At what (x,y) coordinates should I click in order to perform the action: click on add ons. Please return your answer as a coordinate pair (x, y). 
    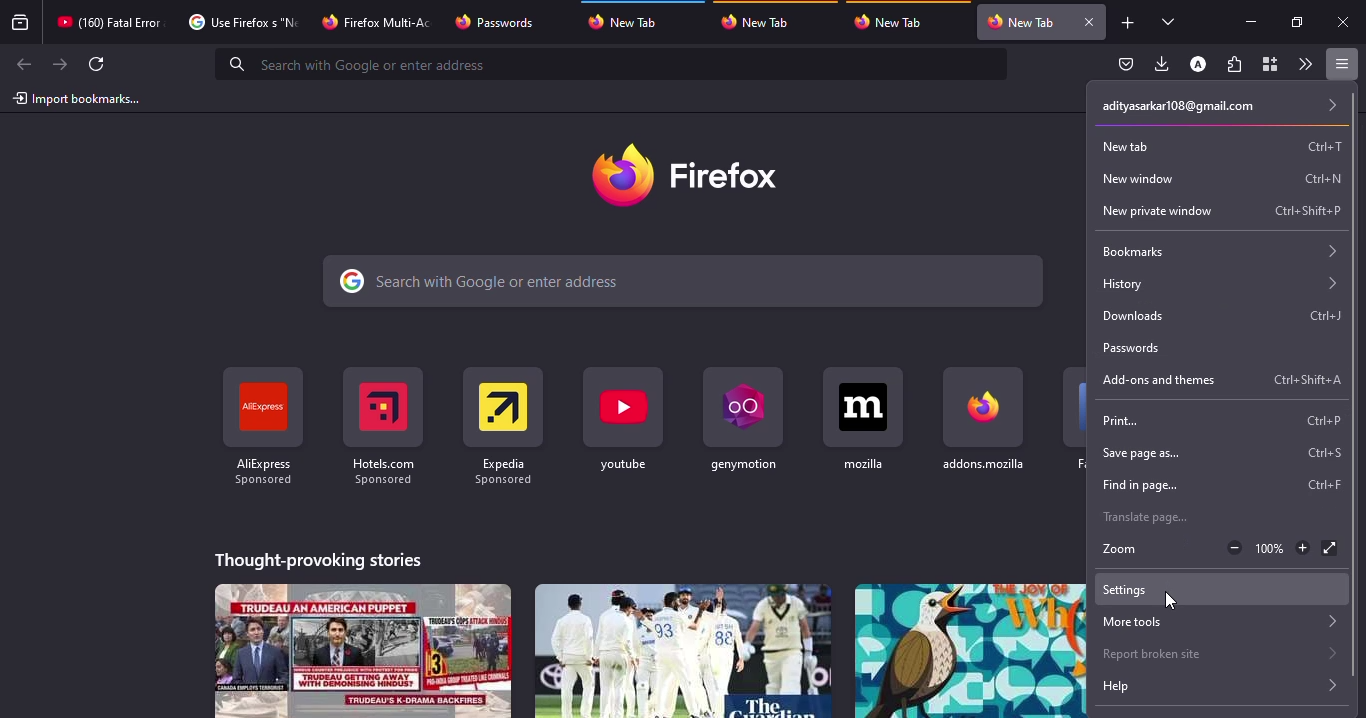
    Looking at the image, I should click on (1157, 379).